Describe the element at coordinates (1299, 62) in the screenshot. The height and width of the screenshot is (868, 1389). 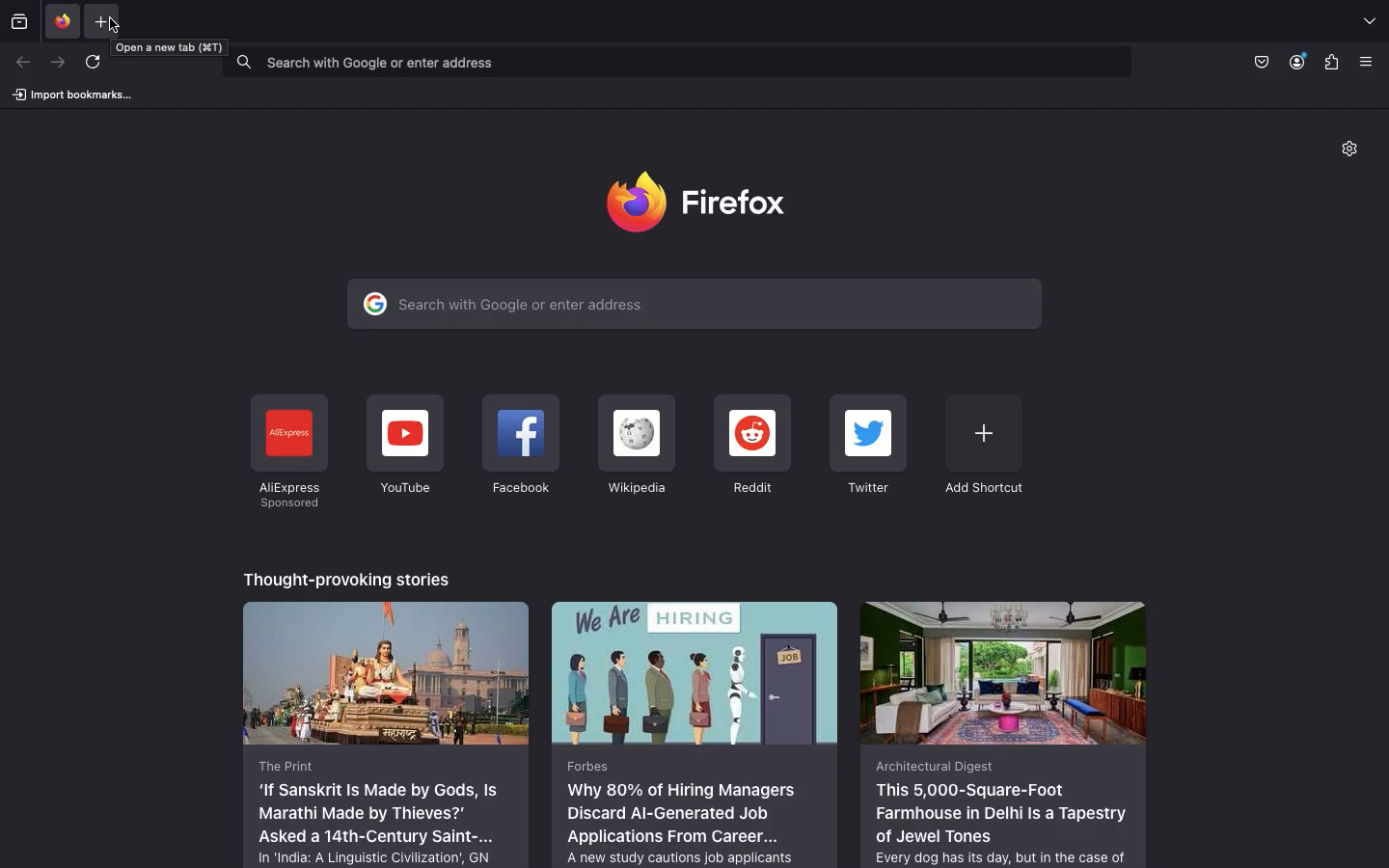
I see `Account` at that location.